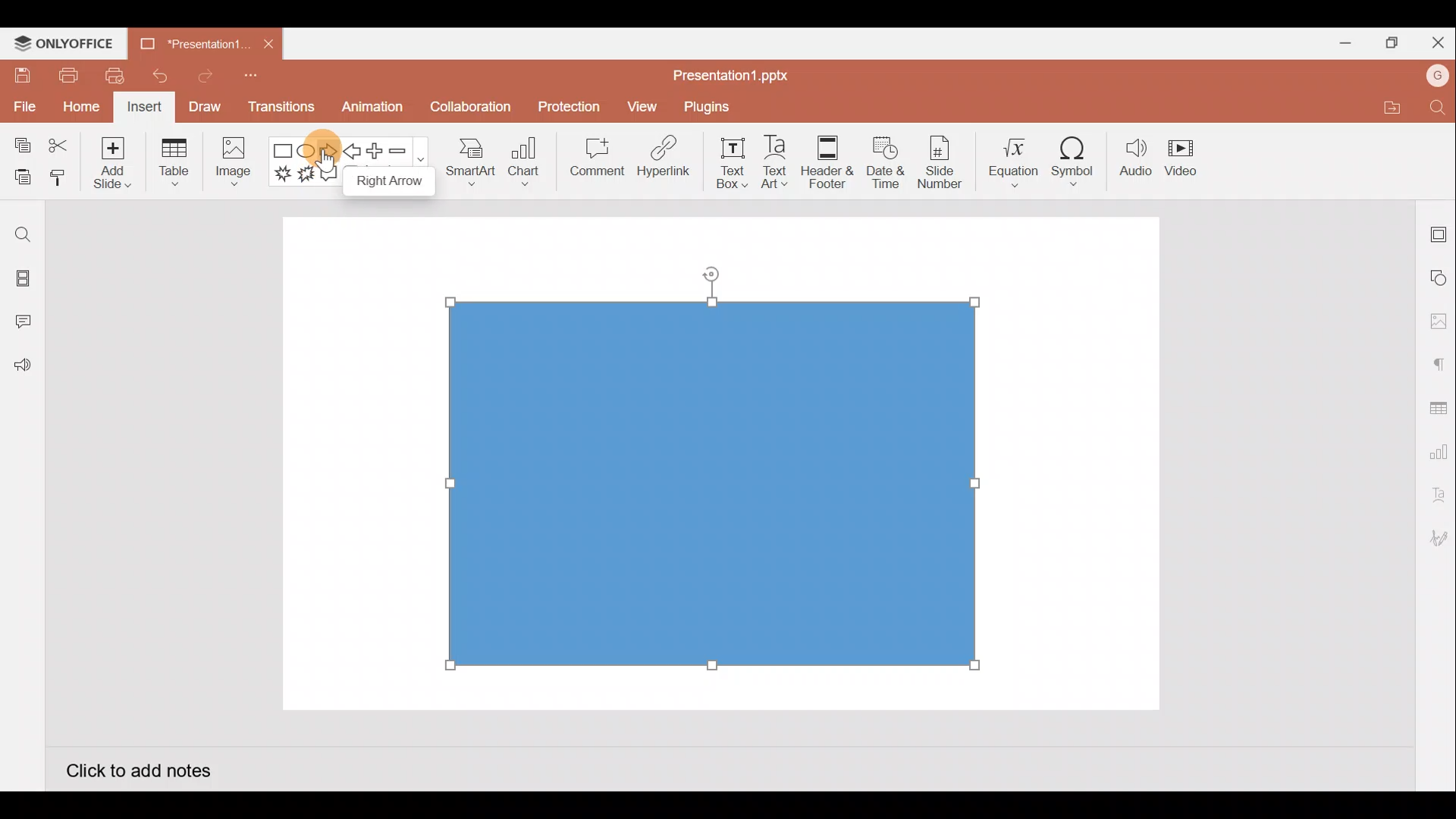  I want to click on Print file, so click(67, 74).